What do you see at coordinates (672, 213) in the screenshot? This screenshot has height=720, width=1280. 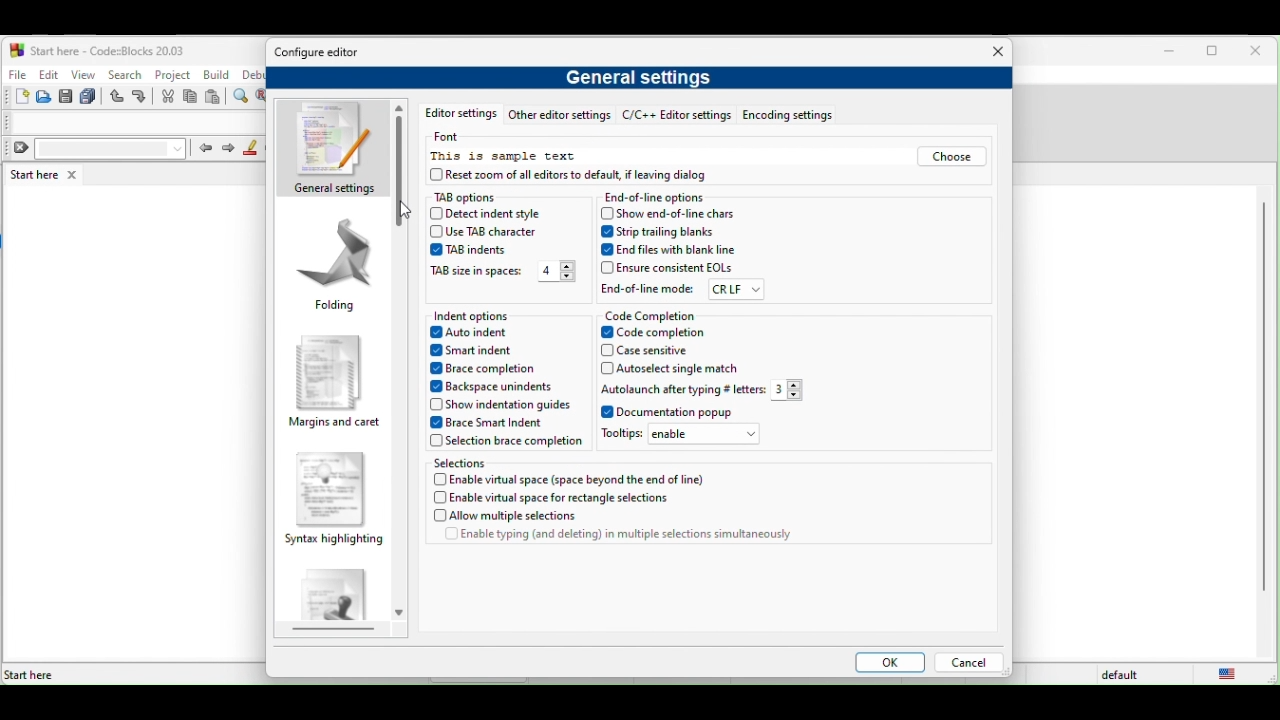 I see `show end of line chars` at bounding box center [672, 213].